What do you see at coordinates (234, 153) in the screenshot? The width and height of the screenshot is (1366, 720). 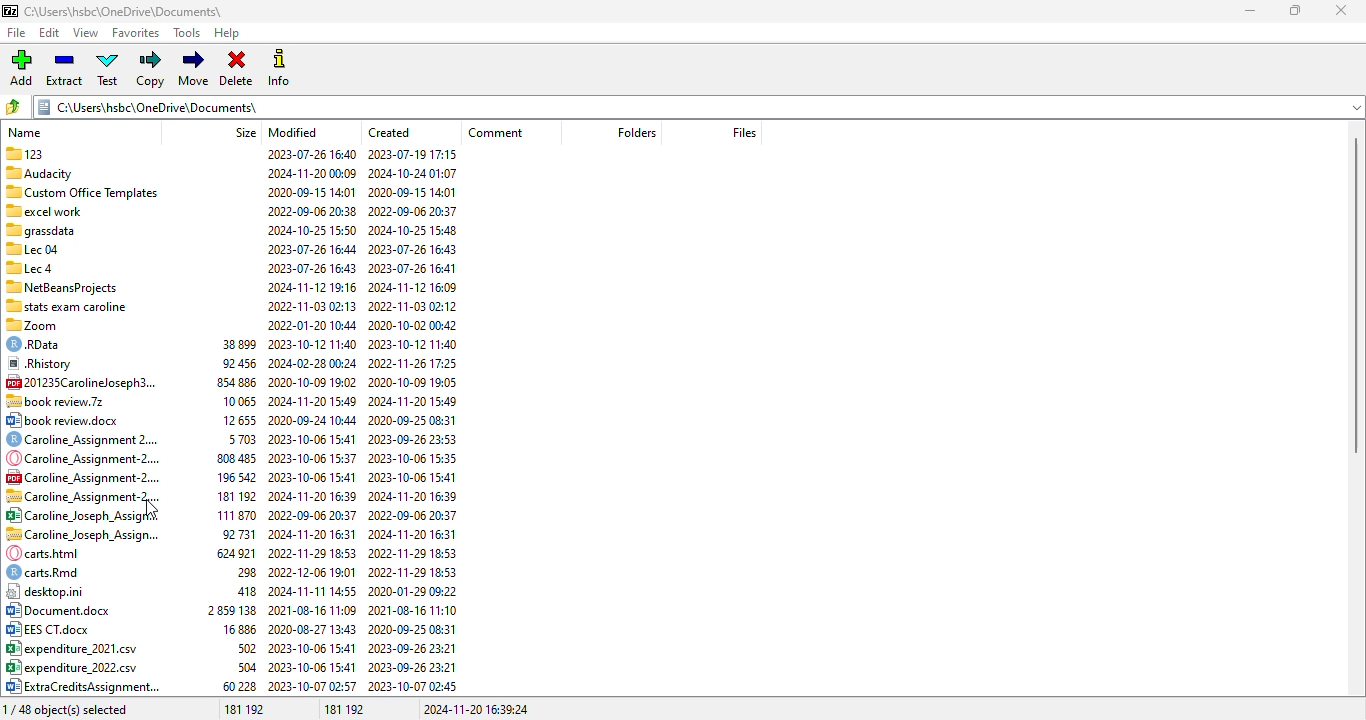 I see `123` at bounding box center [234, 153].